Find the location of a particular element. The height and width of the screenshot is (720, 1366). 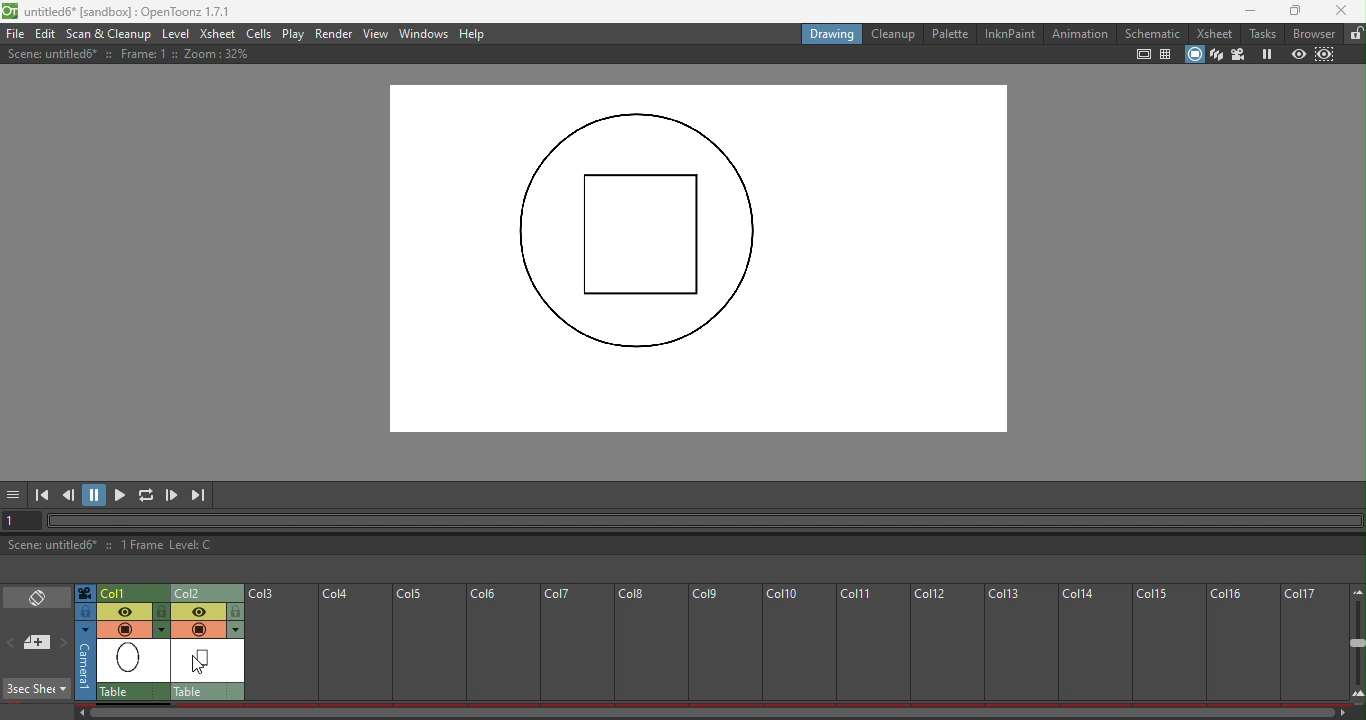

Table is located at coordinates (133, 692).